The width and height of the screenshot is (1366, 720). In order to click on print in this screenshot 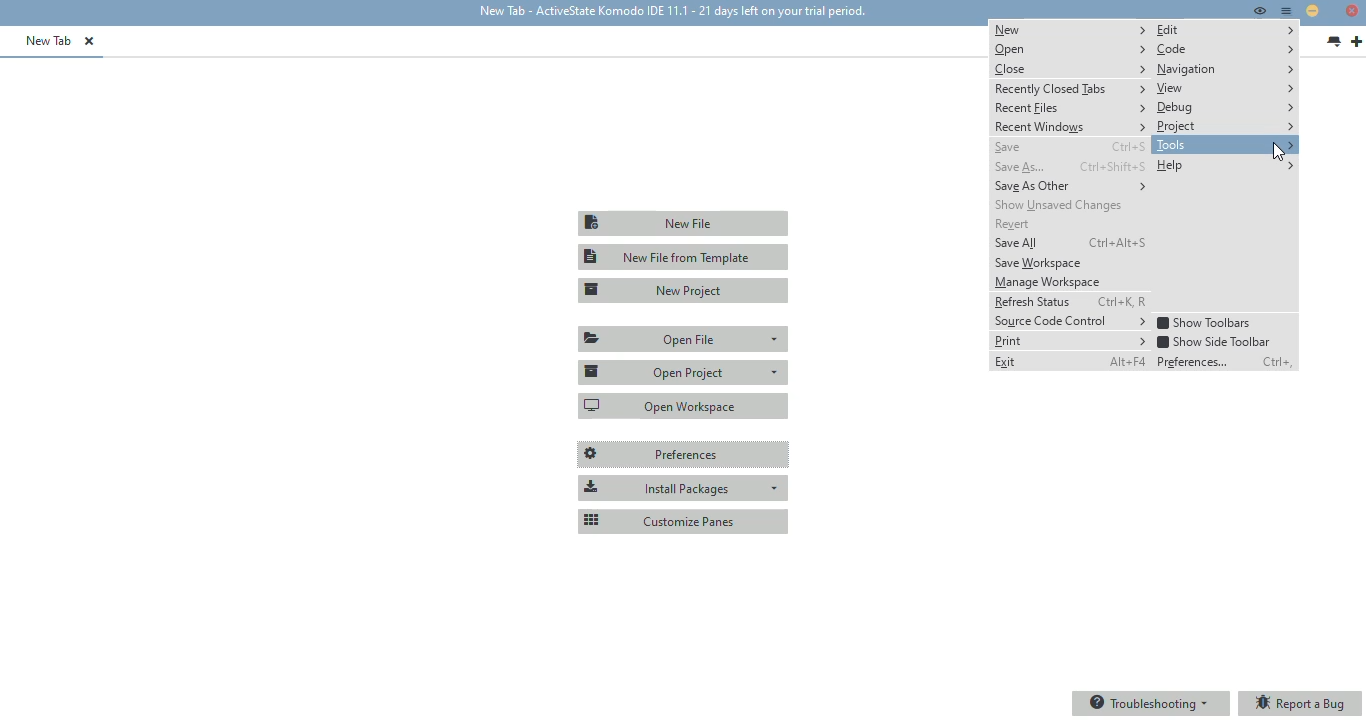, I will do `click(1070, 341)`.